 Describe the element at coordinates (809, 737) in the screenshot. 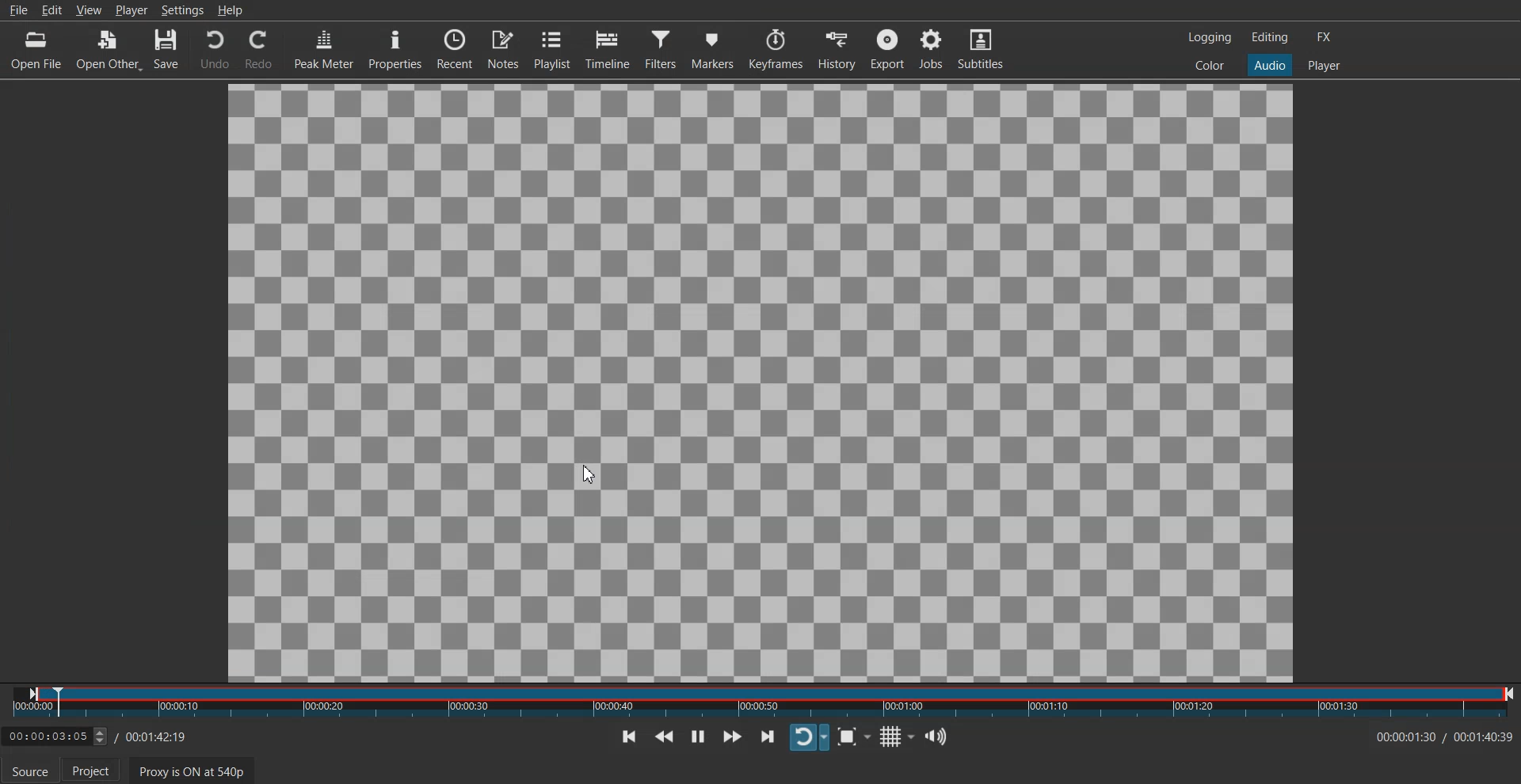

I see `Toggle player looping` at that location.